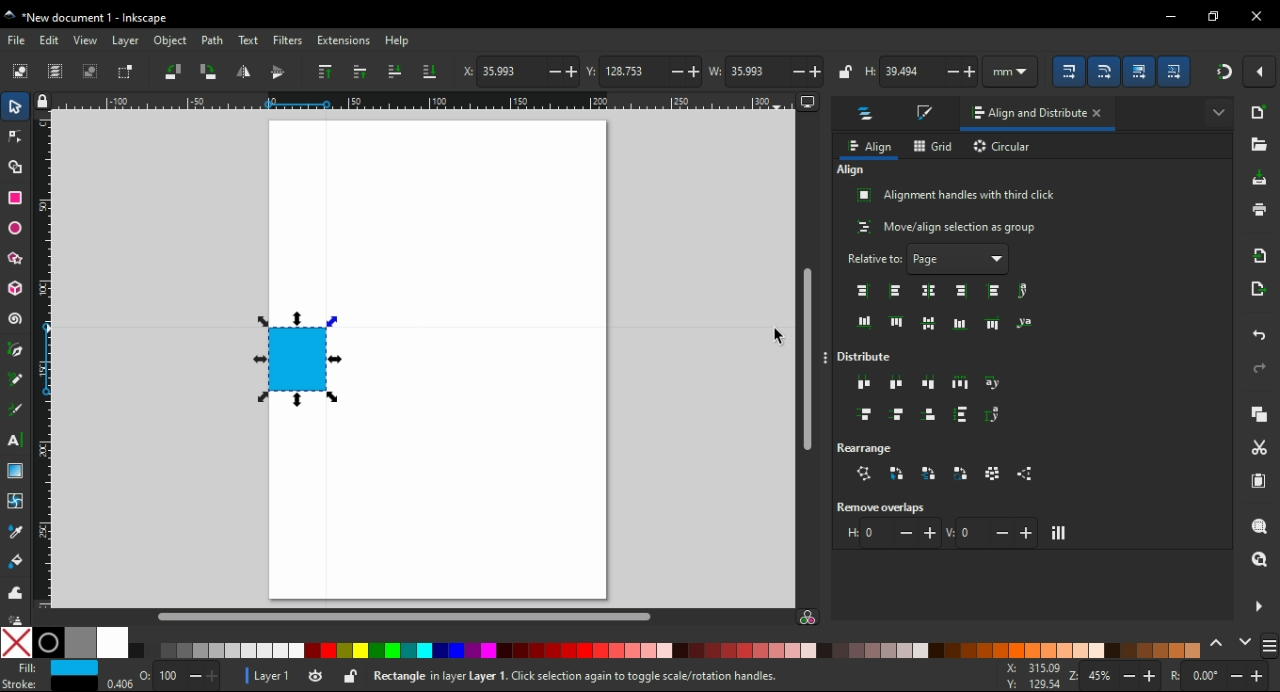  I want to click on whie, so click(115, 643).